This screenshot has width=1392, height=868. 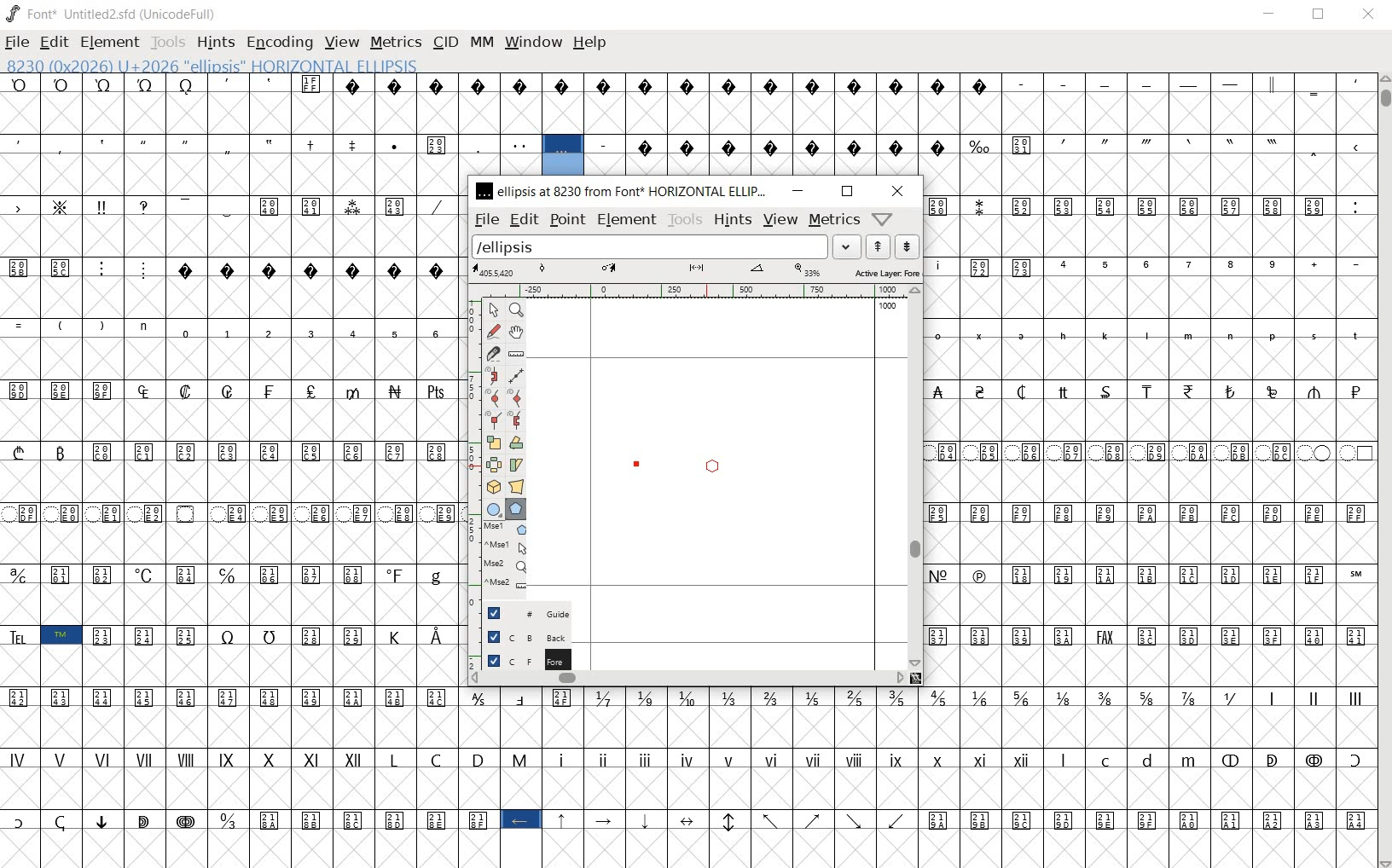 I want to click on HINTS, so click(x=214, y=44).